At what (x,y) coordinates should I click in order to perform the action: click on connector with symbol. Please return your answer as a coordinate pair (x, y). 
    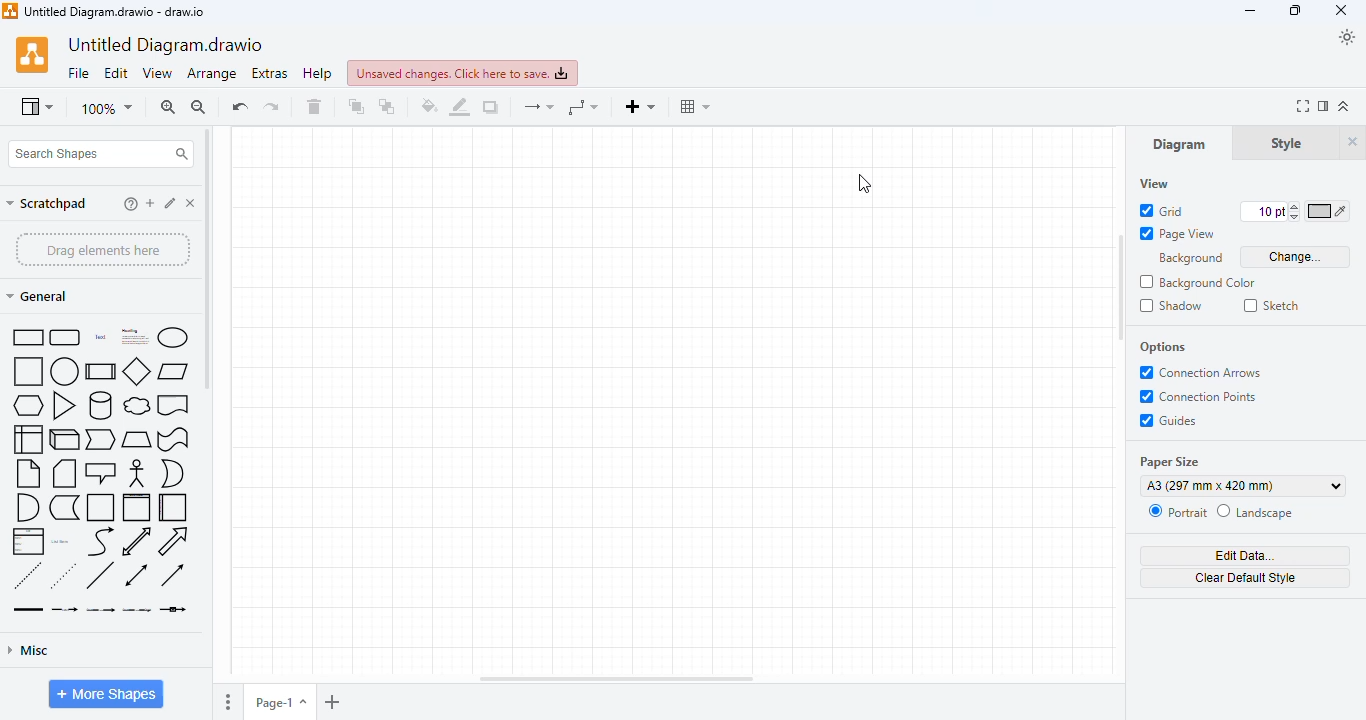
    Looking at the image, I should click on (173, 609).